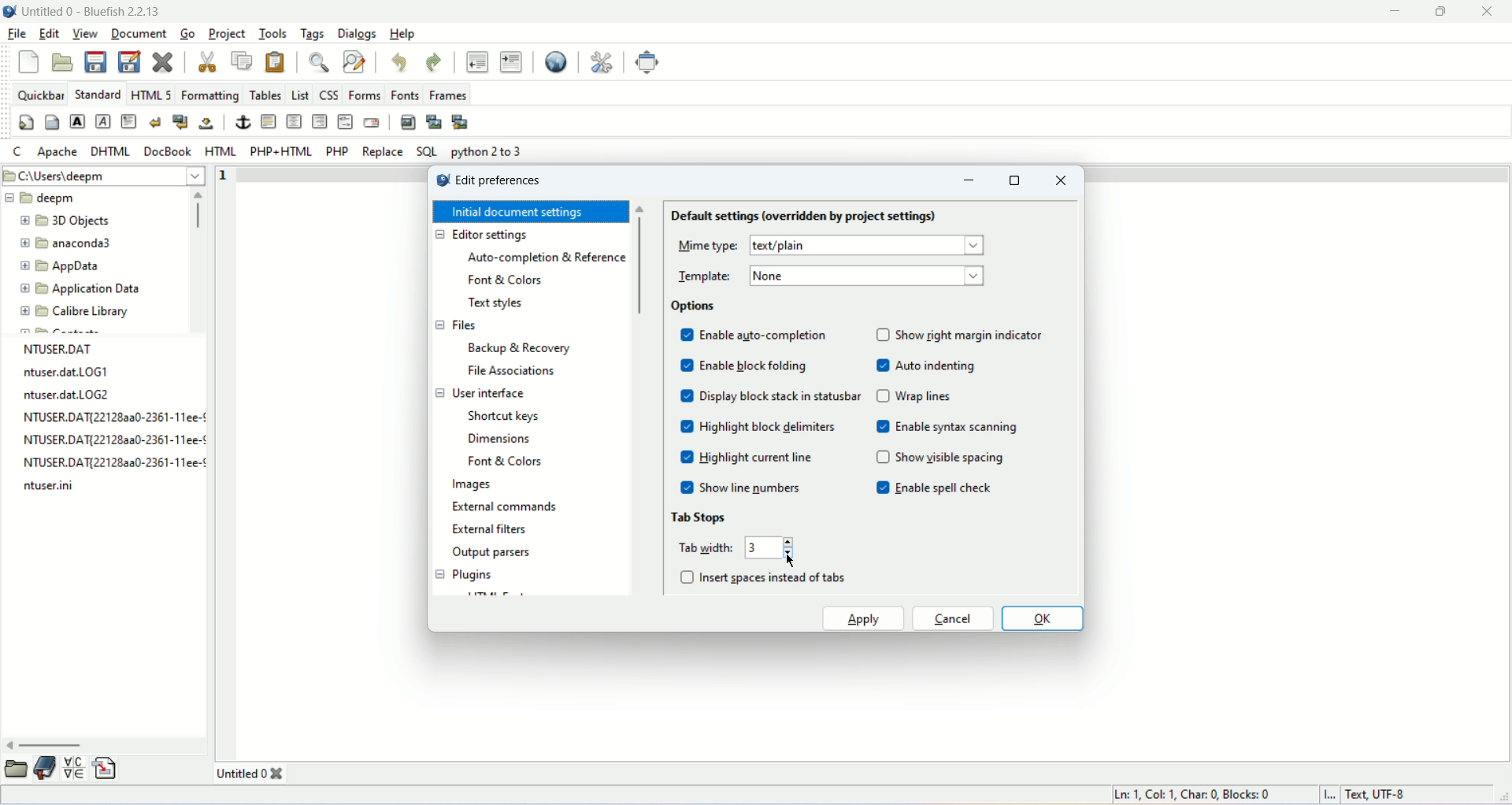 This screenshot has height=805, width=1512. What do you see at coordinates (511, 61) in the screenshot?
I see `indent` at bounding box center [511, 61].